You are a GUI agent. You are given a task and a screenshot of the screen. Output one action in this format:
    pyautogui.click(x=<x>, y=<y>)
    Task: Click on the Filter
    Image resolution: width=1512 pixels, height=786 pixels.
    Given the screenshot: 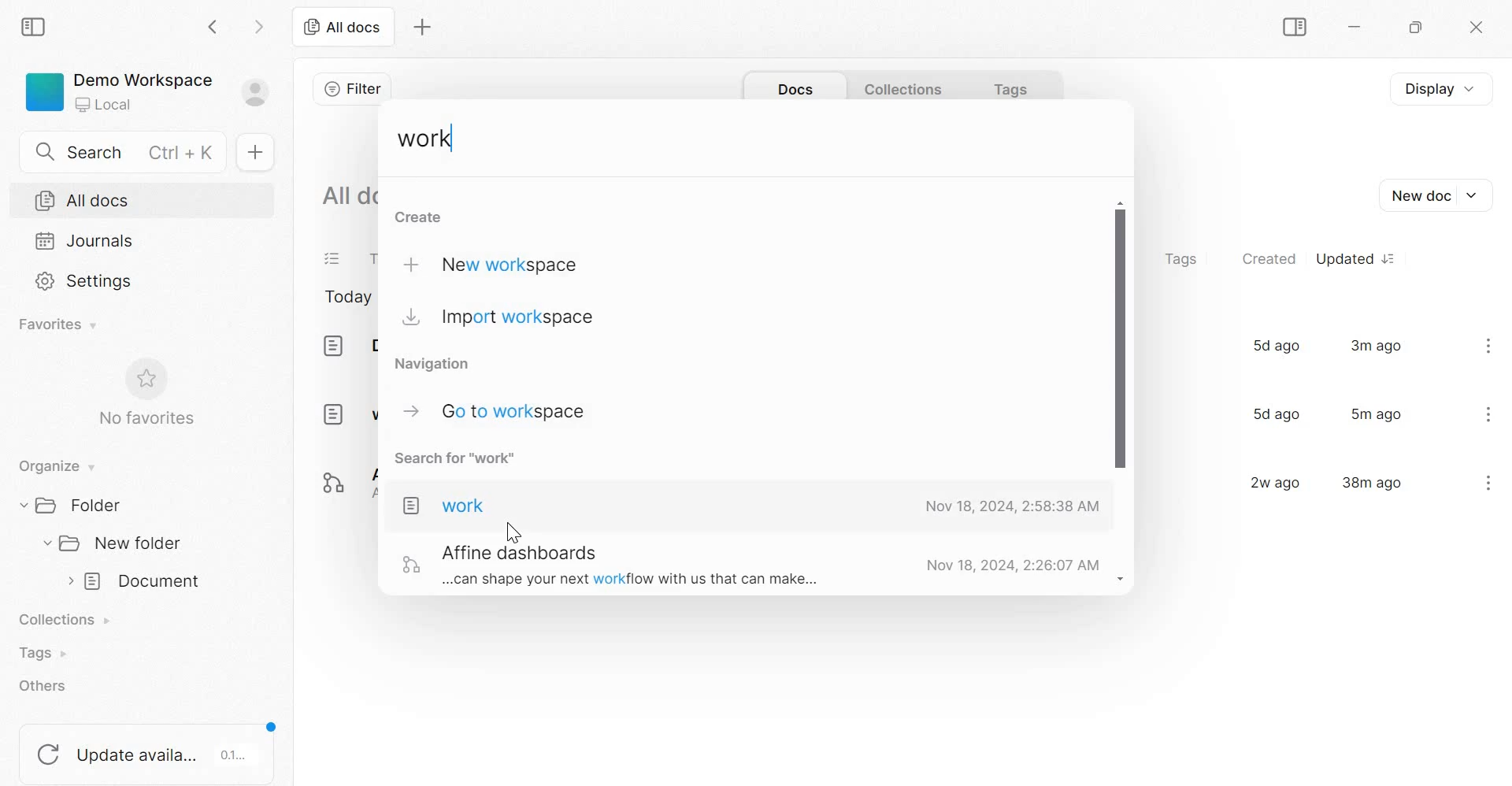 What is the action you would take?
    pyautogui.click(x=352, y=88)
    